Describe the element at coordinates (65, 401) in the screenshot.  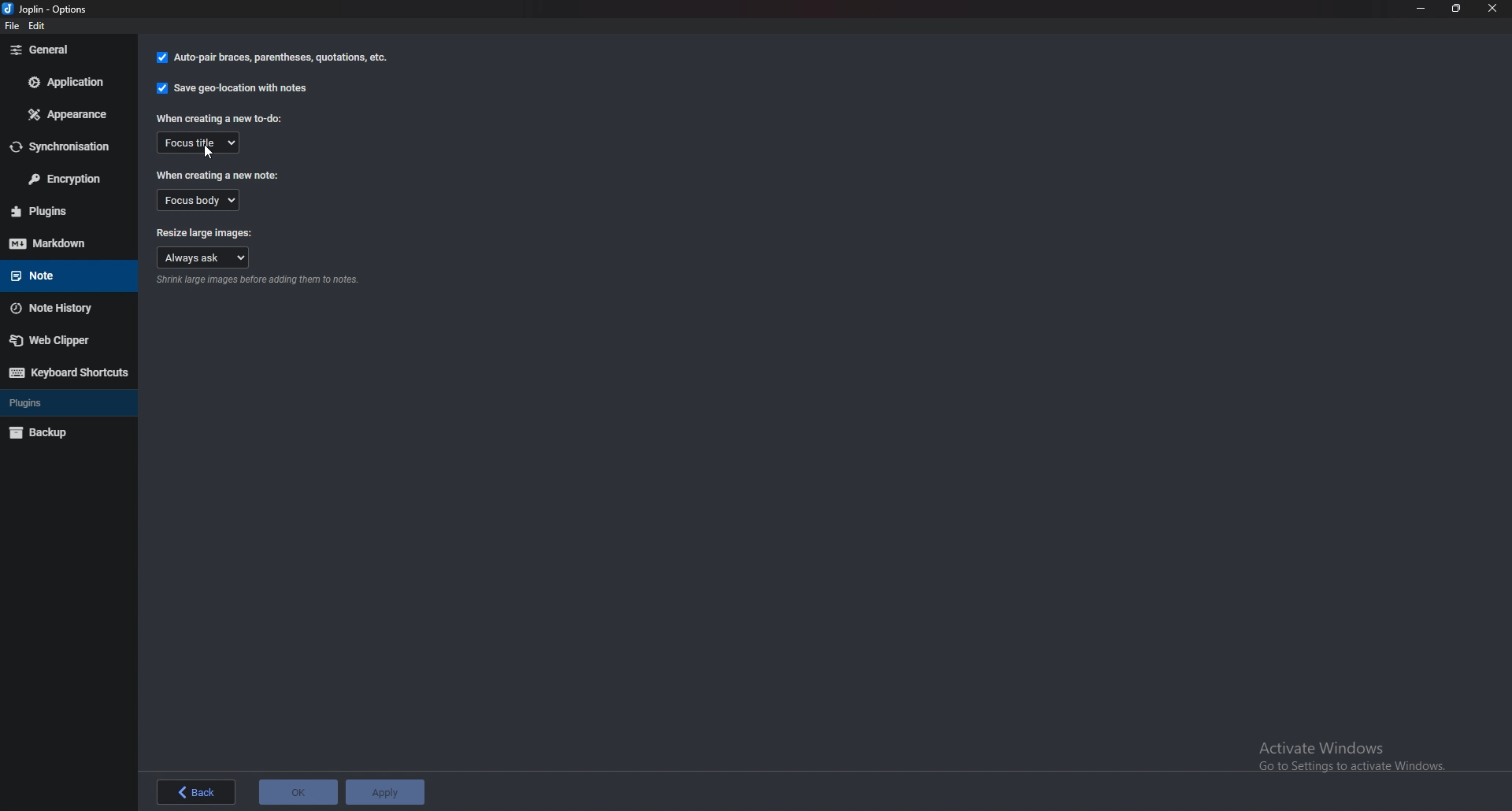
I see `plugins` at that location.